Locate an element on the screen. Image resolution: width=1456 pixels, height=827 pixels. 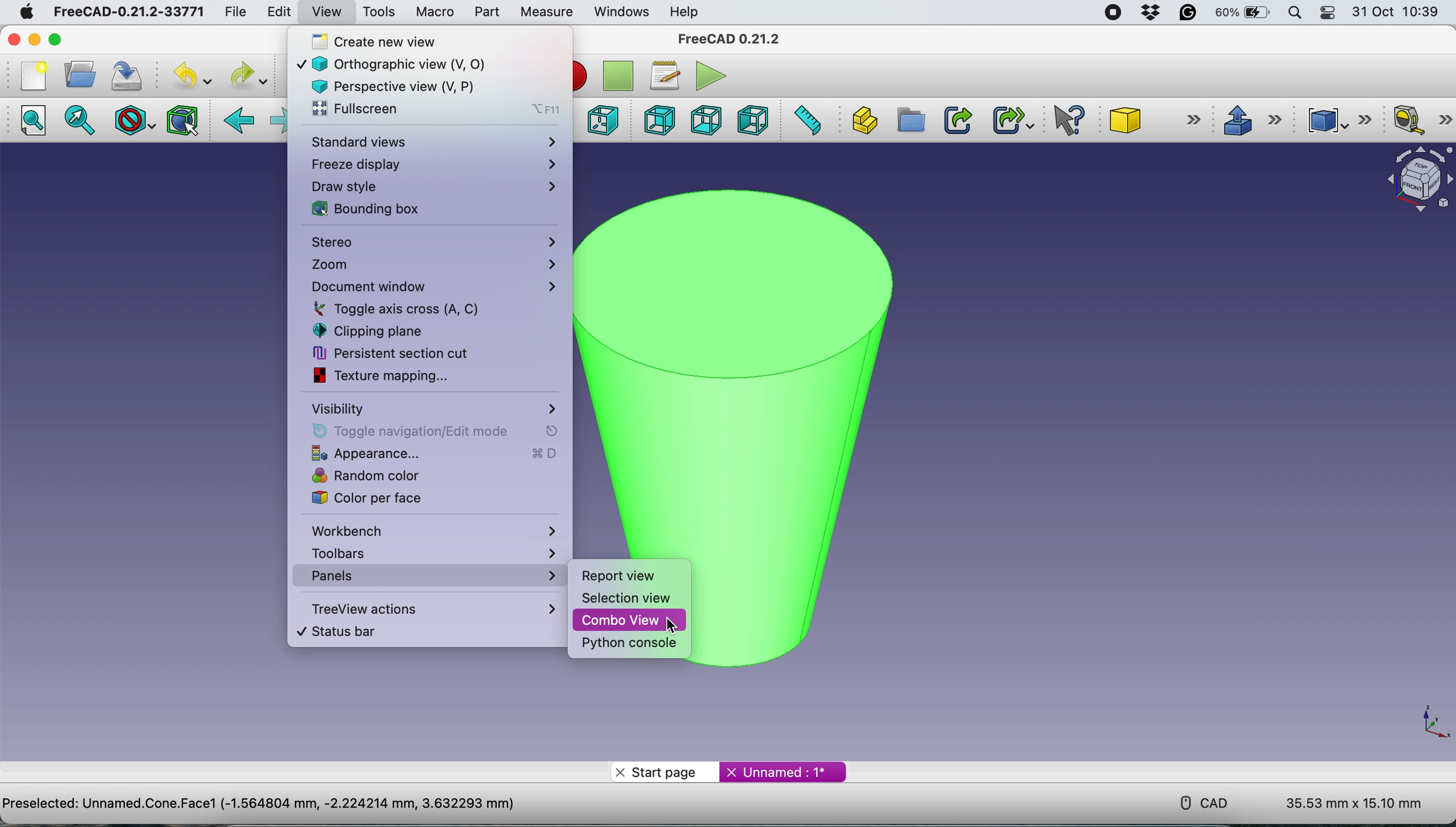
fit all is located at coordinates (37, 124).